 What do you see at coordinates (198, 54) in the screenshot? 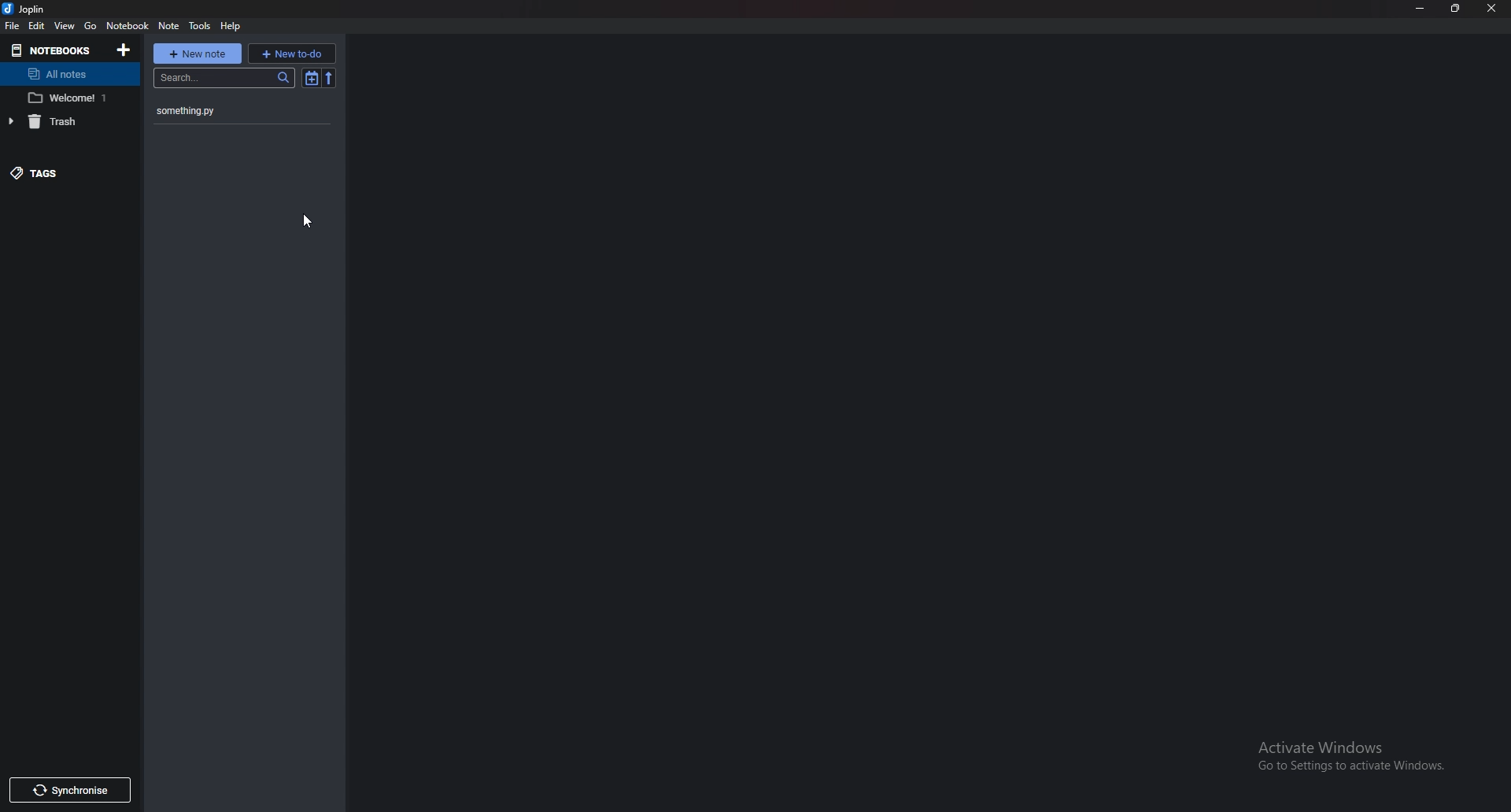
I see `New note` at bounding box center [198, 54].